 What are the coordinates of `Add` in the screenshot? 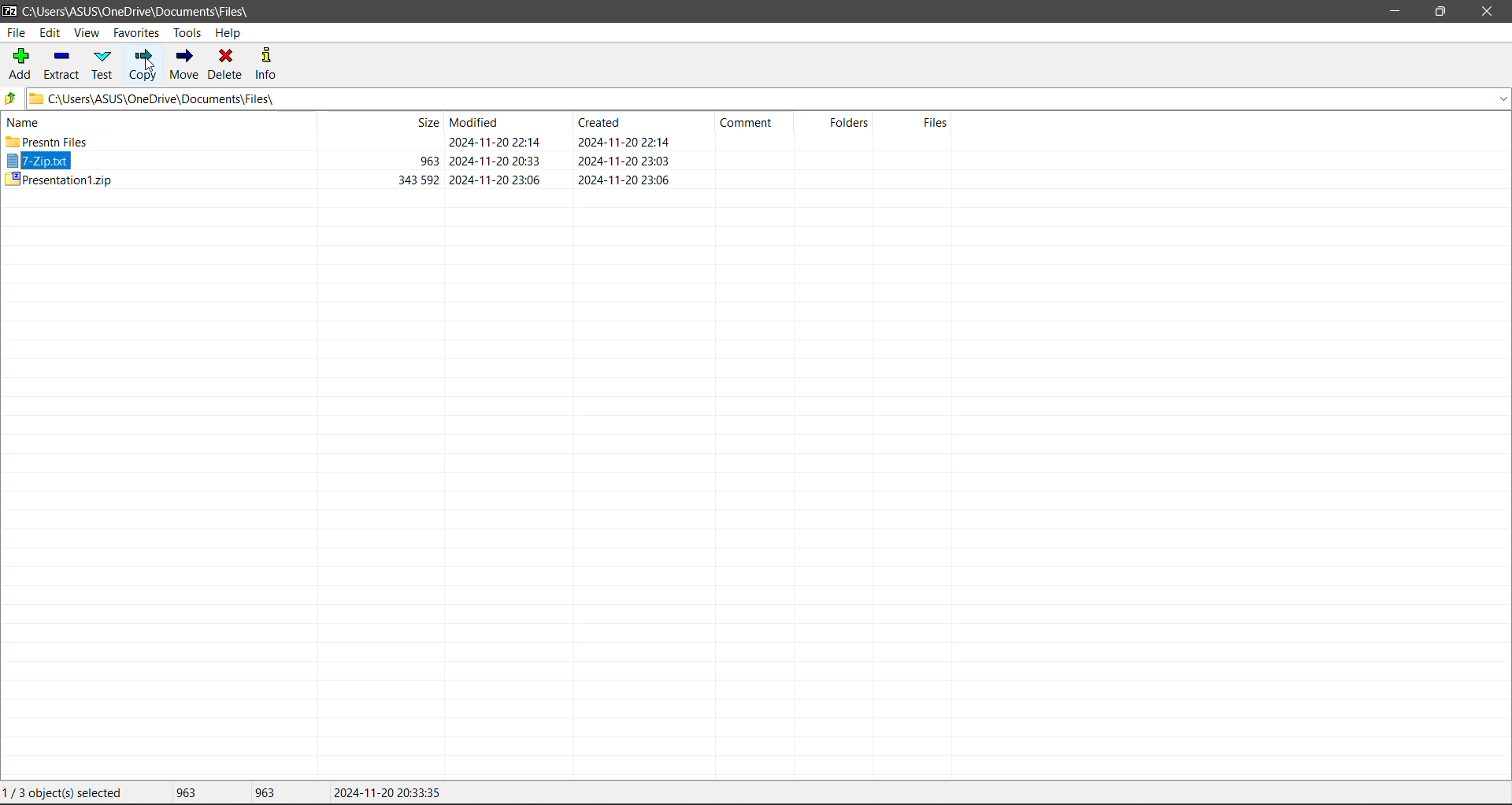 It's located at (18, 65).